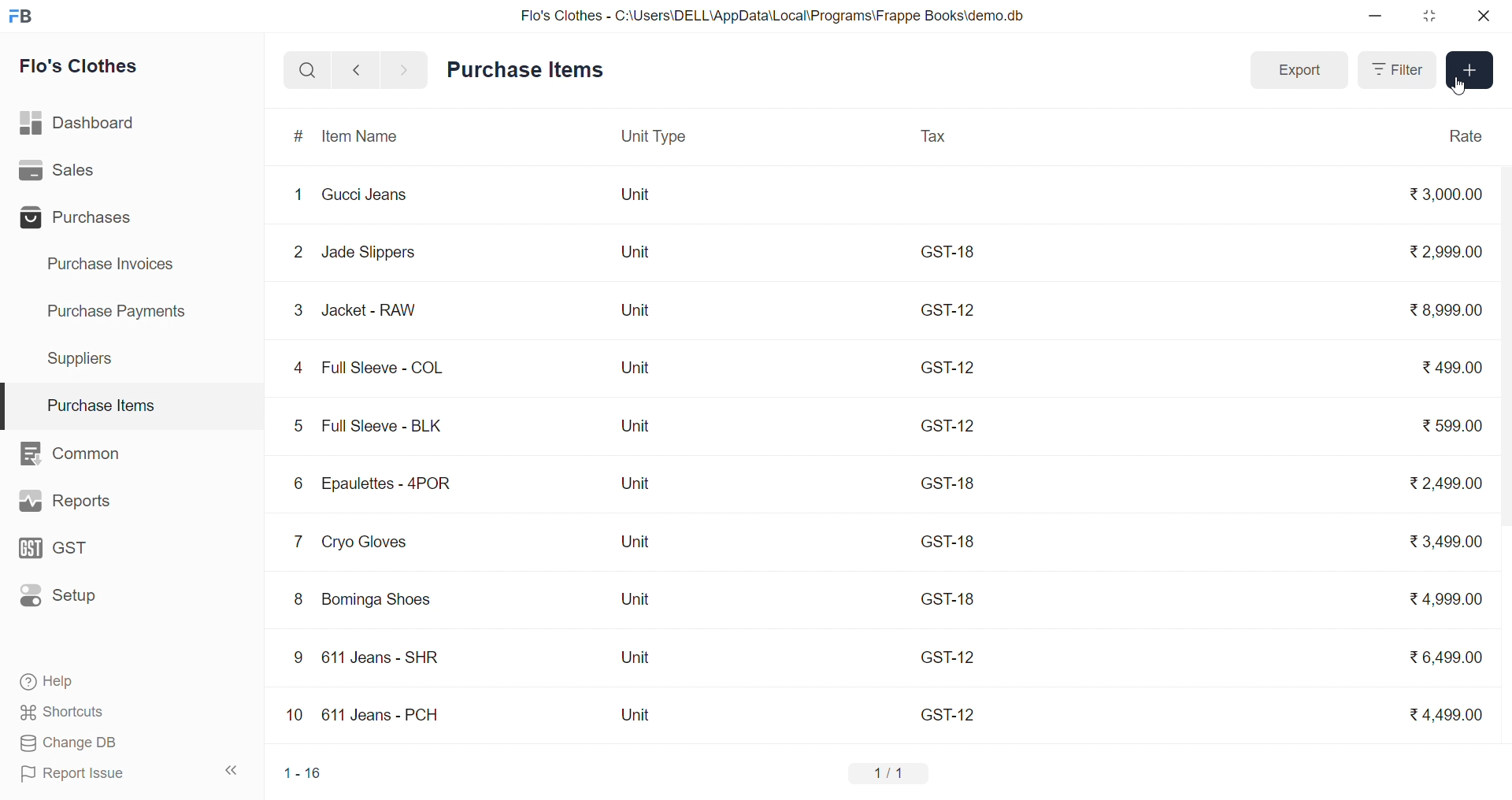 Image resolution: width=1512 pixels, height=800 pixels. I want to click on Shortcuts, so click(127, 711).